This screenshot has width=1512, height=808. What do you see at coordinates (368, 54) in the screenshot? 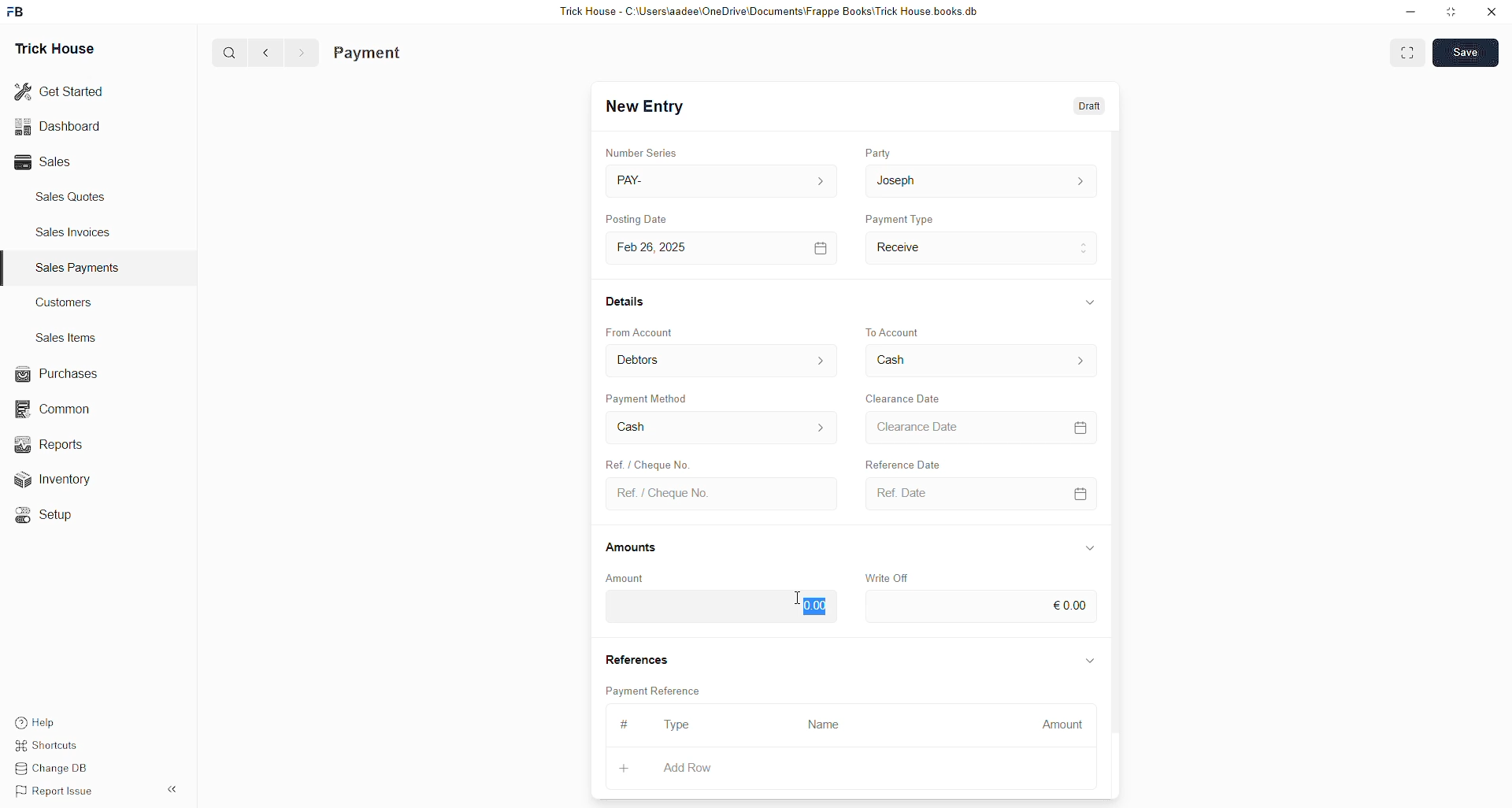
I see `Payment` at bounding box center [368, 54].